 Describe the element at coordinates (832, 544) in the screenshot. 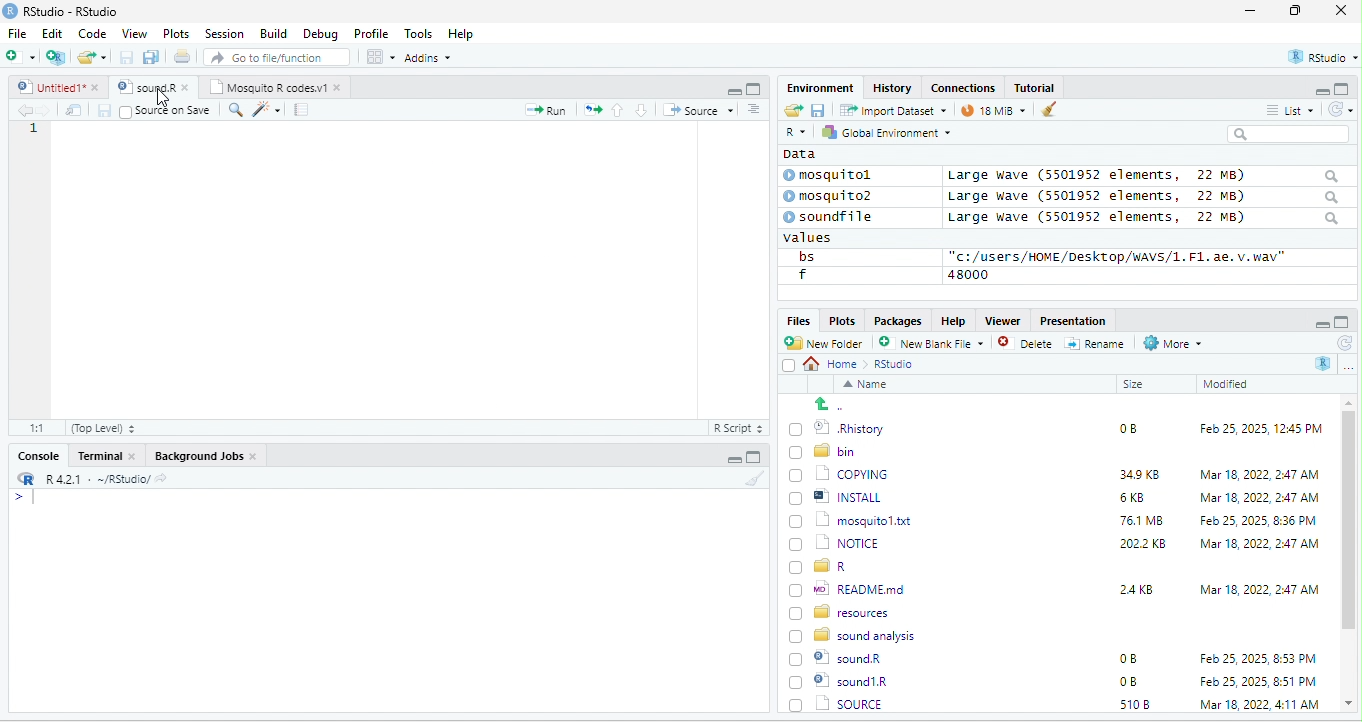

I see `(7) 1 NOTICE` at that location.